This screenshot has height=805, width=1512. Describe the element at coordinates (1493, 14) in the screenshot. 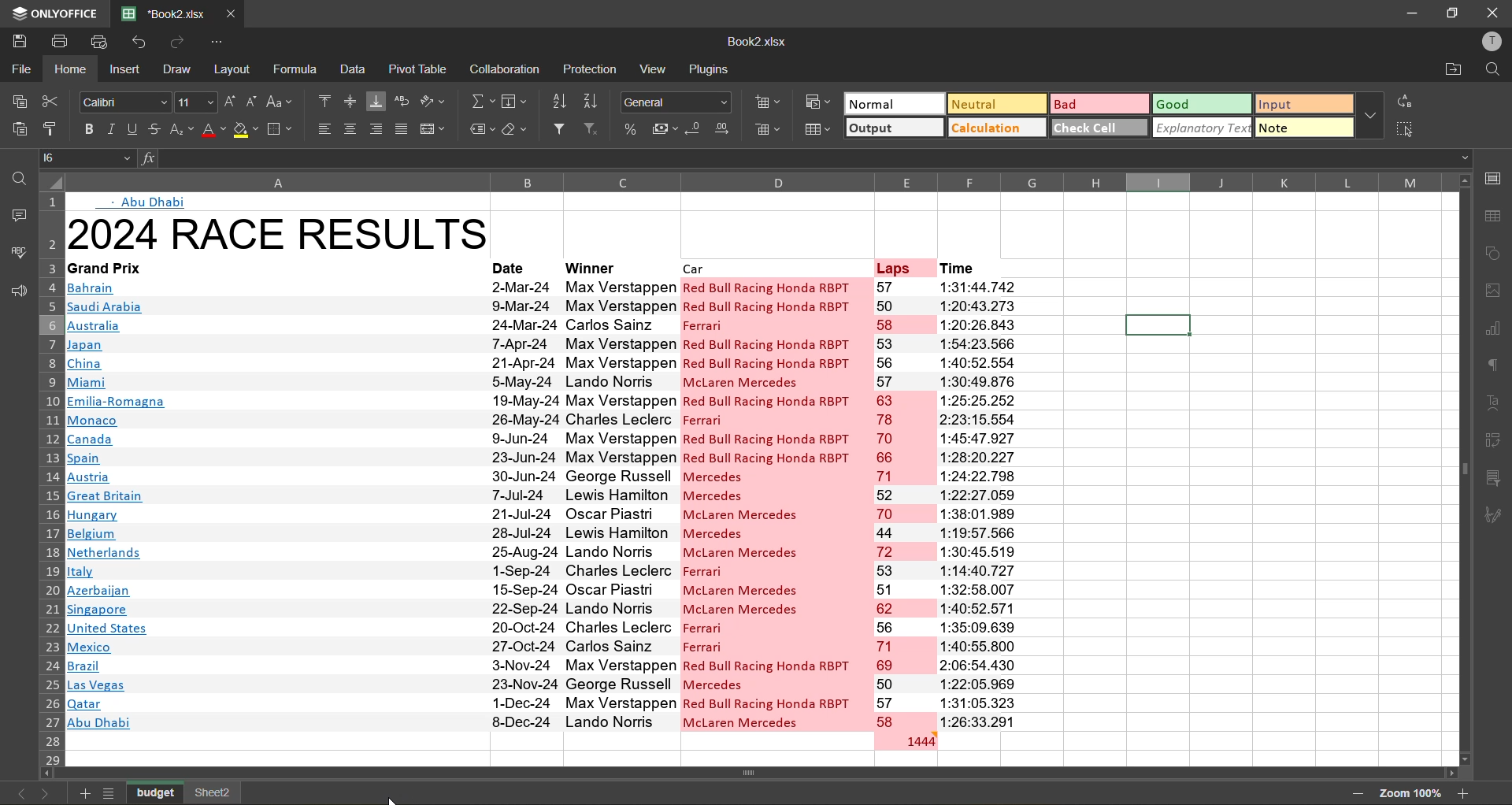

I see `close` at that location.